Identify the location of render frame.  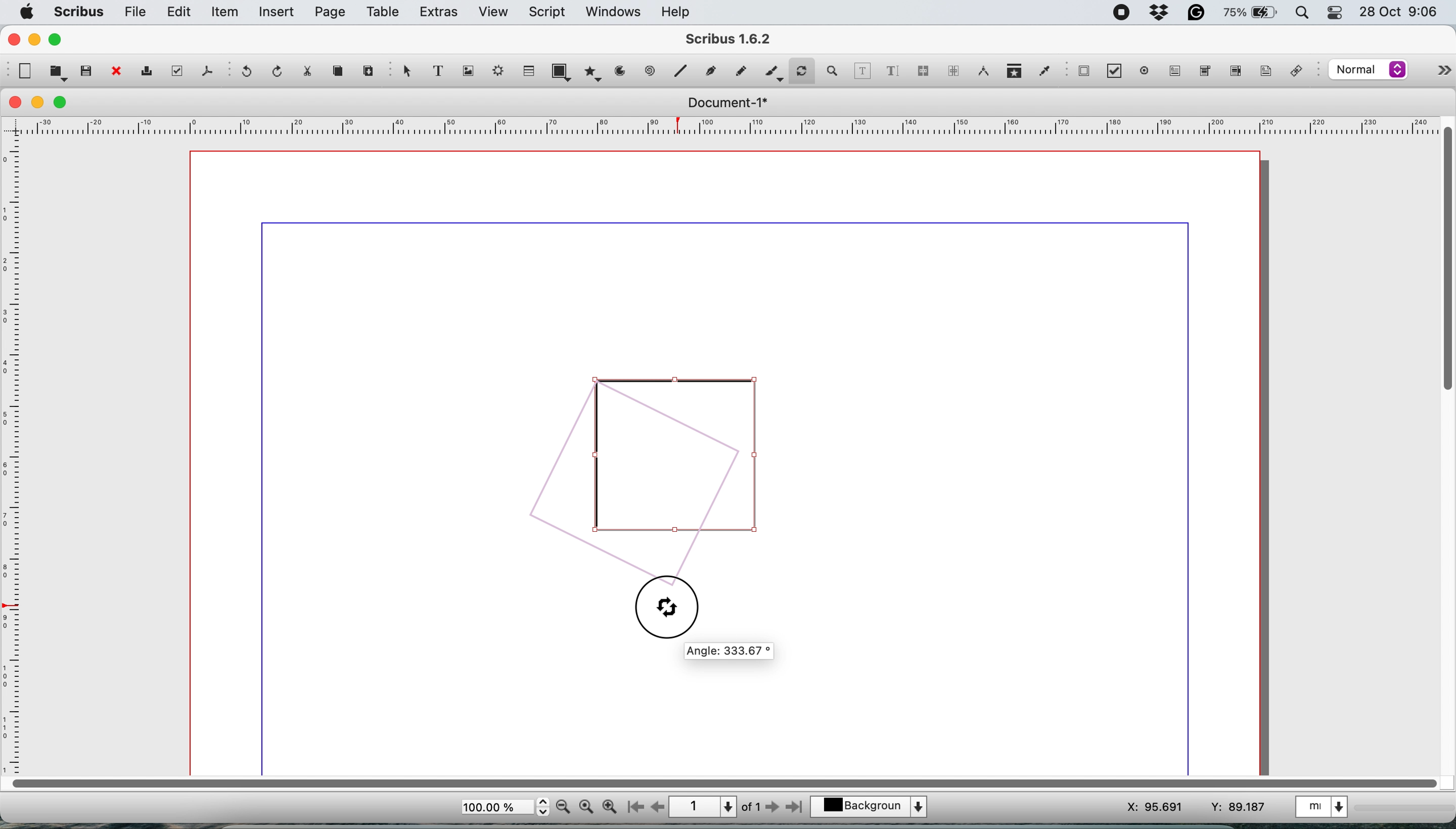
(501, 73).